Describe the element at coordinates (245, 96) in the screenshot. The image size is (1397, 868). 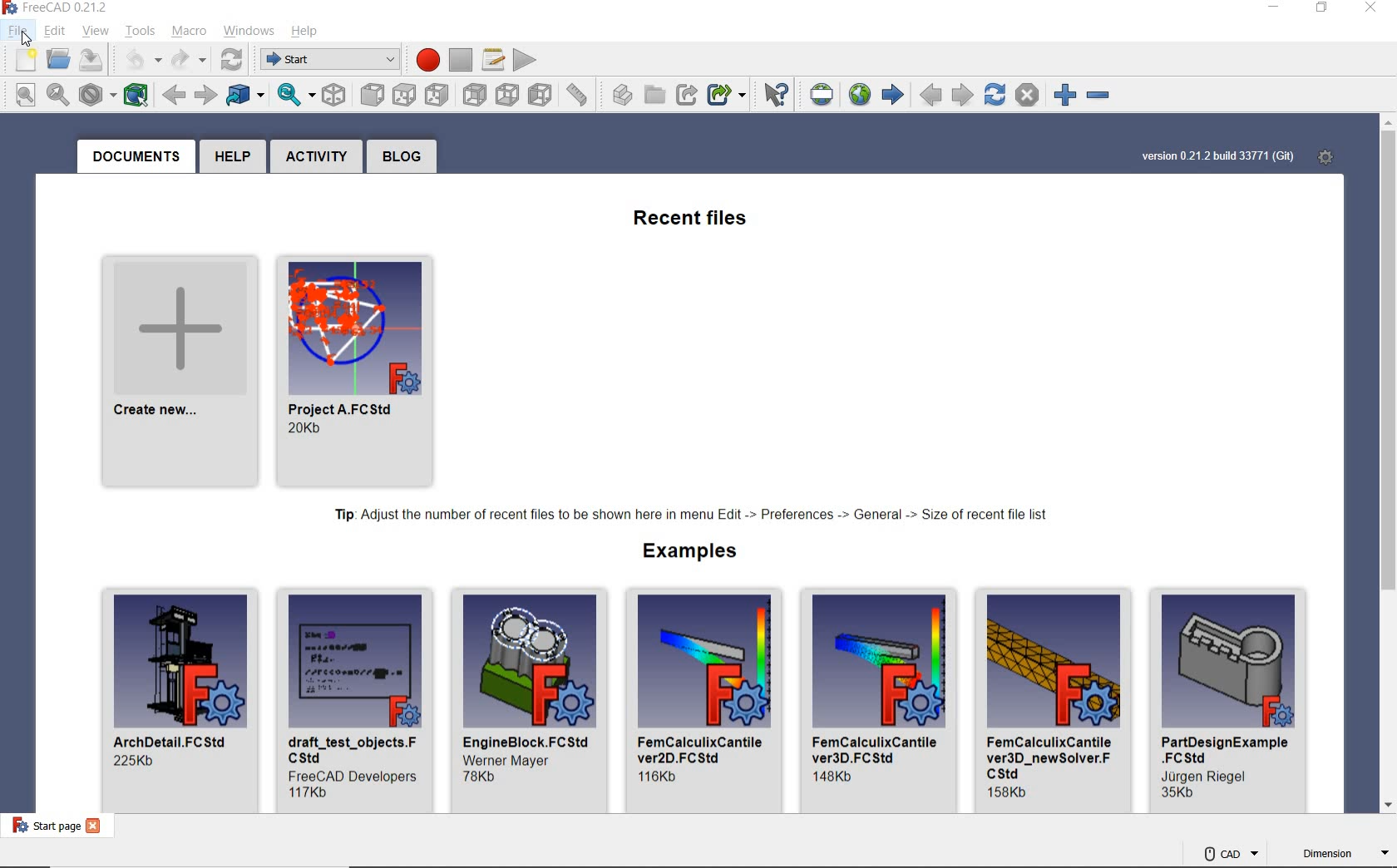
I see `GO TO LINKED OBJECT` at that location.